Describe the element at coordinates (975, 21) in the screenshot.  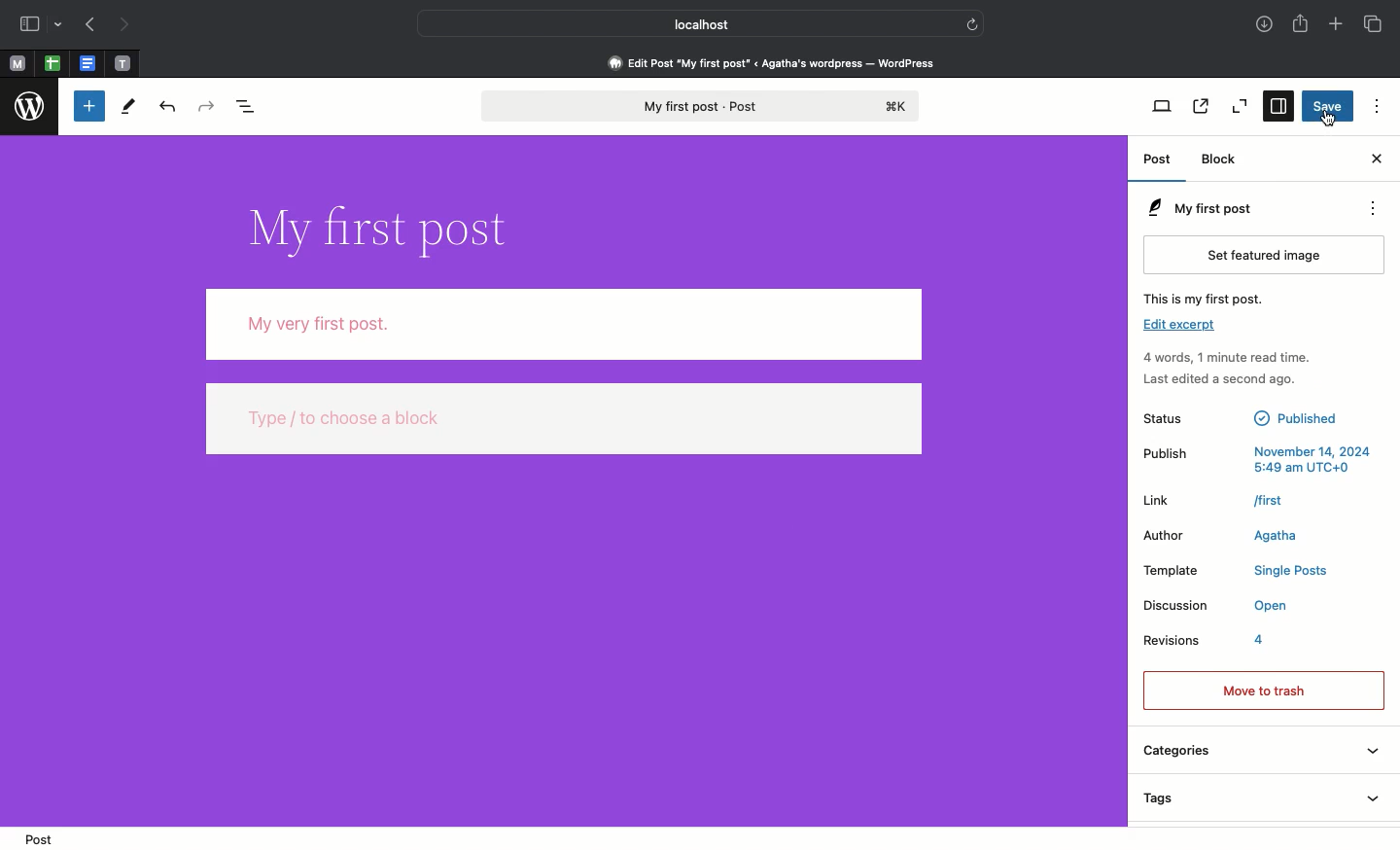
I see `refresh` at that location.